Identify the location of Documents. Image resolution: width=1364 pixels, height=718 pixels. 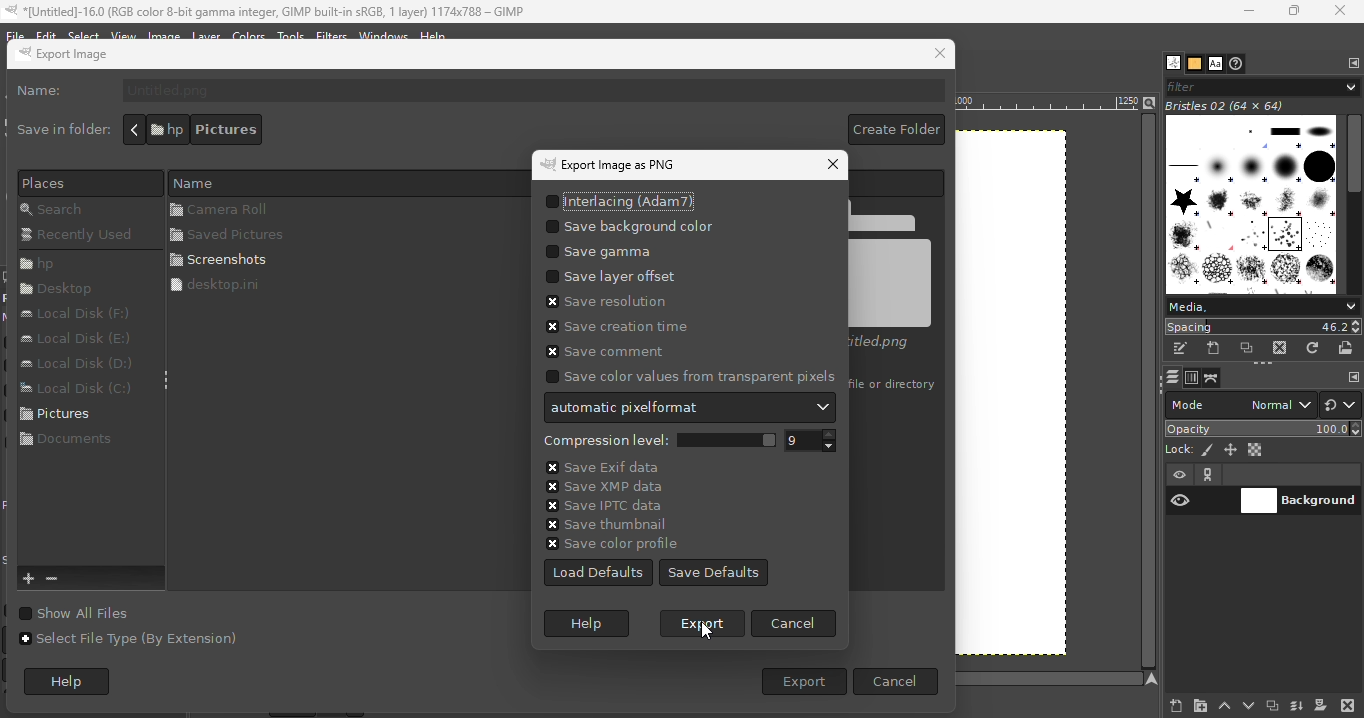
(235, 130).